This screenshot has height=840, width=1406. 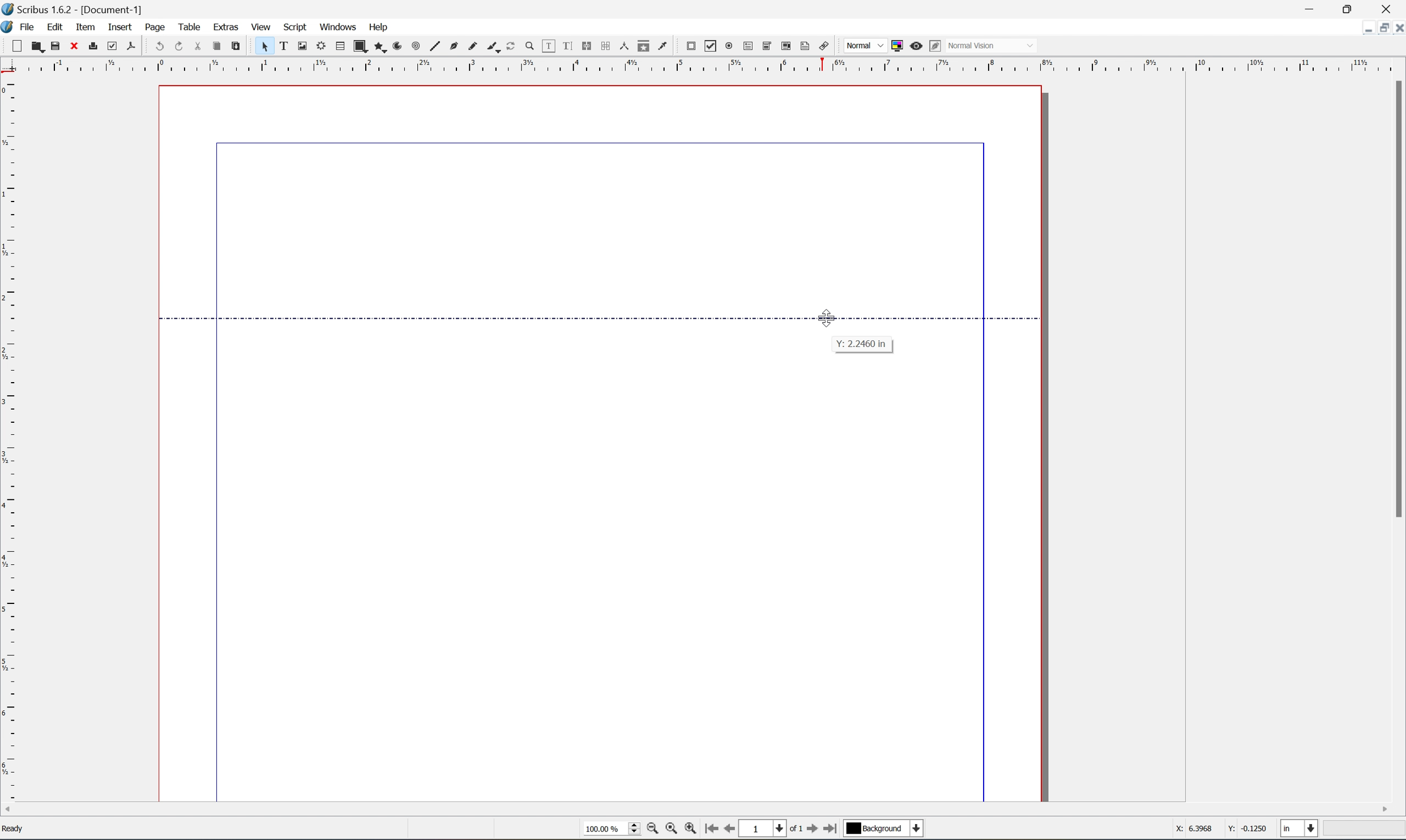 What do you see at coordinates (283, 46) in the screenshot?
I see `text frame` at bounding box center [283, 46].